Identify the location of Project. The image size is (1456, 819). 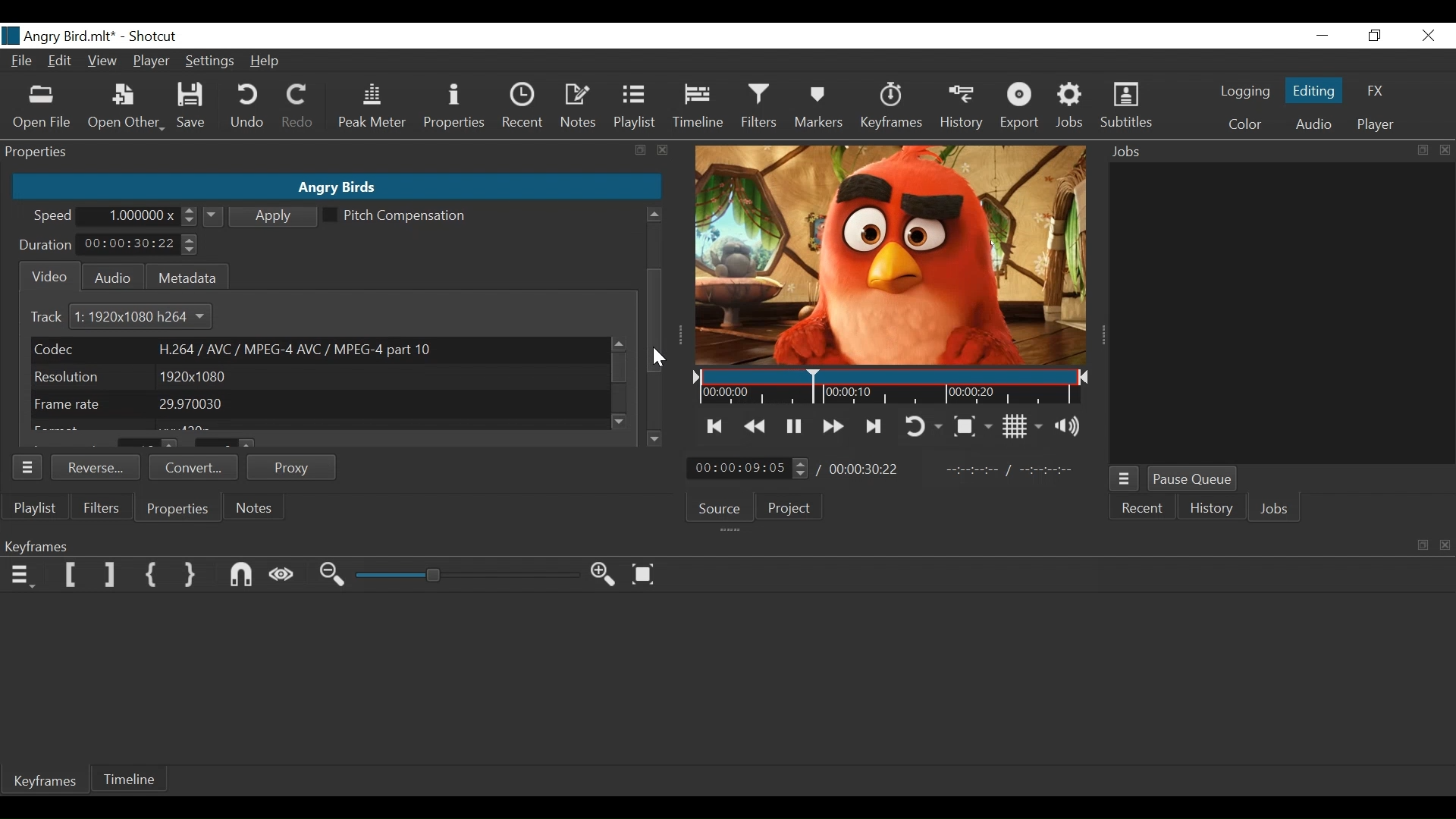
(792, 510).